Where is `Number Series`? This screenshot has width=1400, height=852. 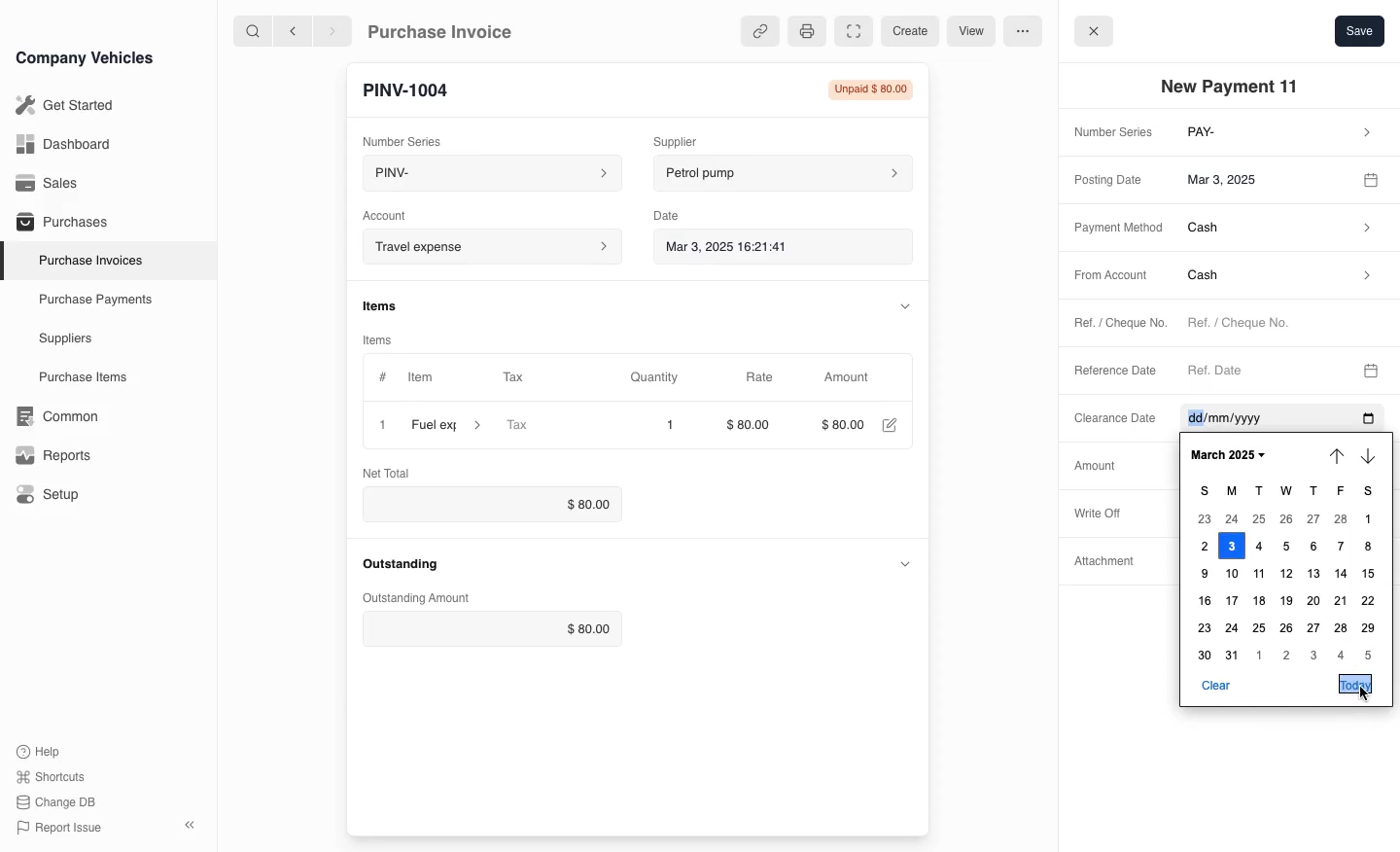 Number Series is located at coordinates (1109, 133).